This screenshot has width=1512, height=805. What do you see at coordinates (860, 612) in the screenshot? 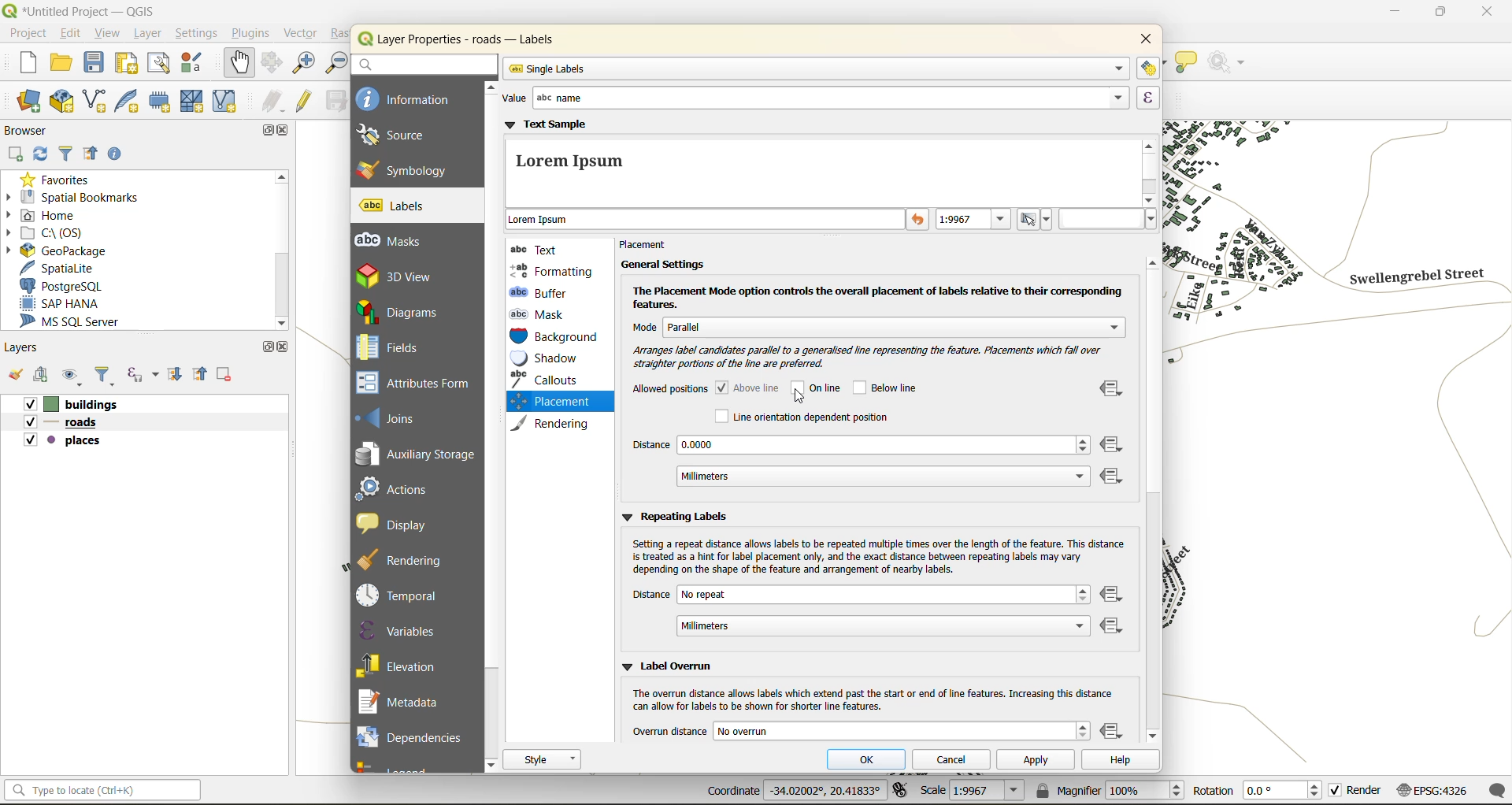
I see `distance` at bounding box center [860, 612].